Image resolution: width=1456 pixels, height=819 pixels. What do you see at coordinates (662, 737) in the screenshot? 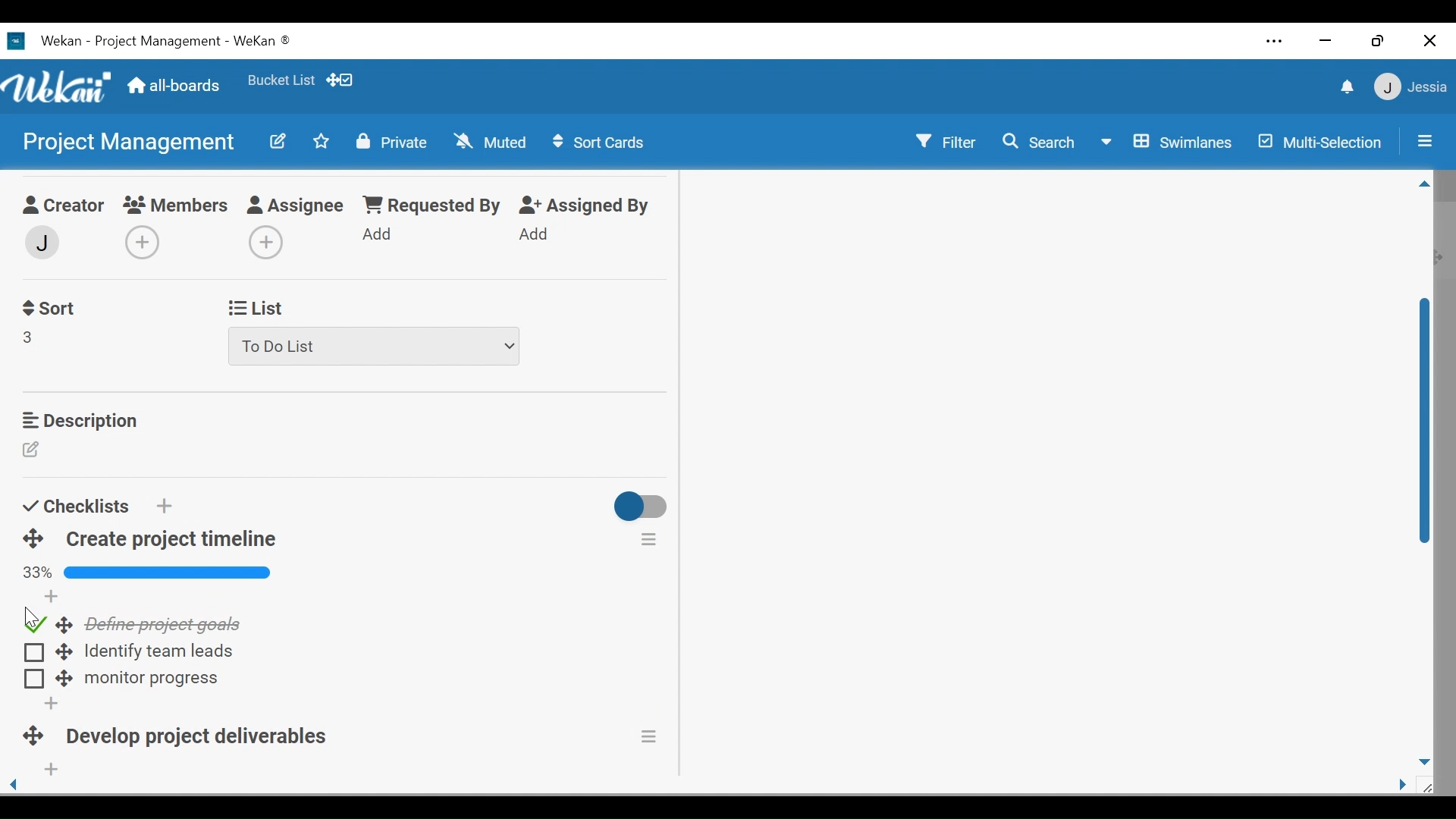
I see `checklist actions` at bounding box center [662, 737].